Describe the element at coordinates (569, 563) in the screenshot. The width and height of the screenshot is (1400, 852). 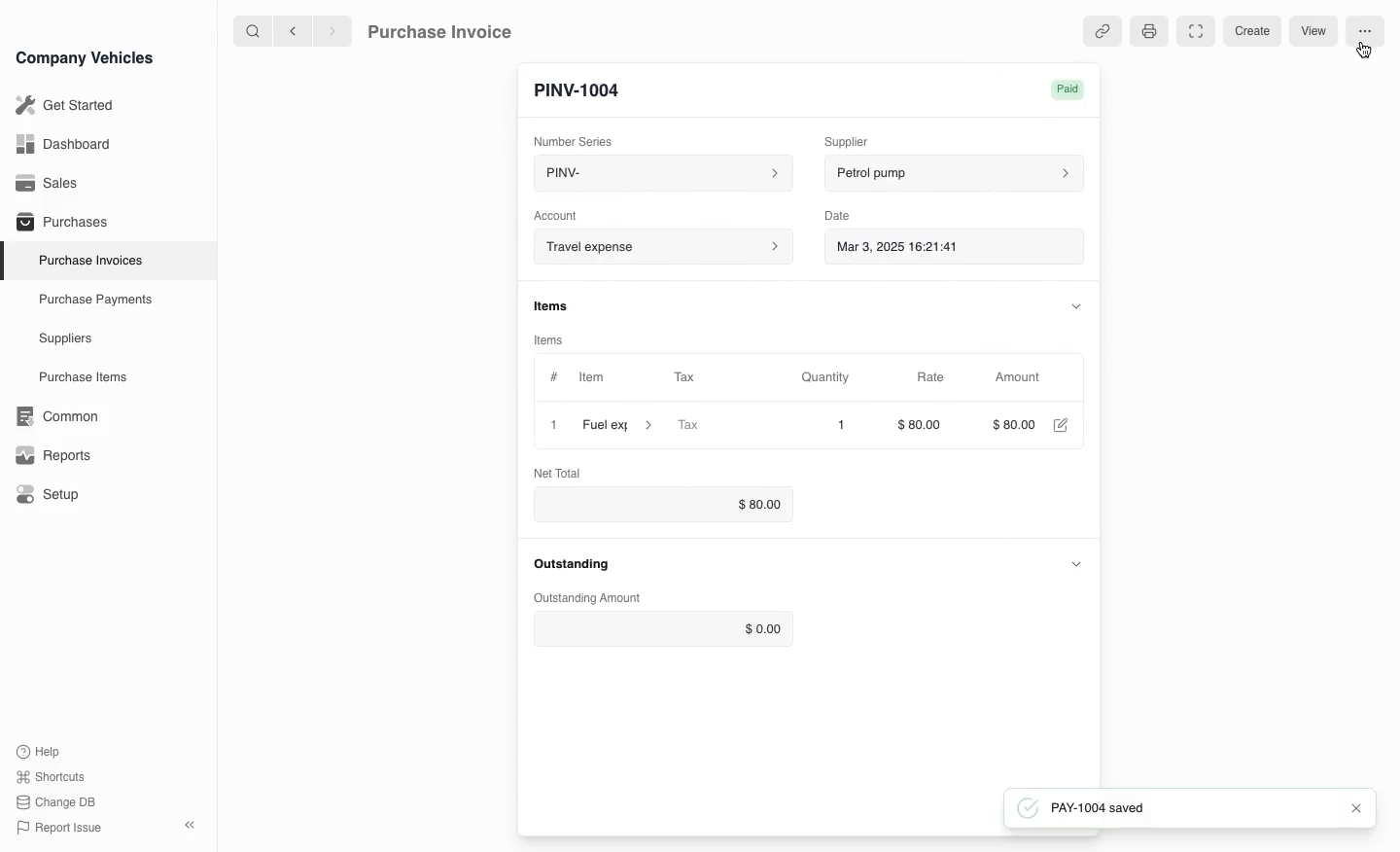
I see `Outstanding` at that location.